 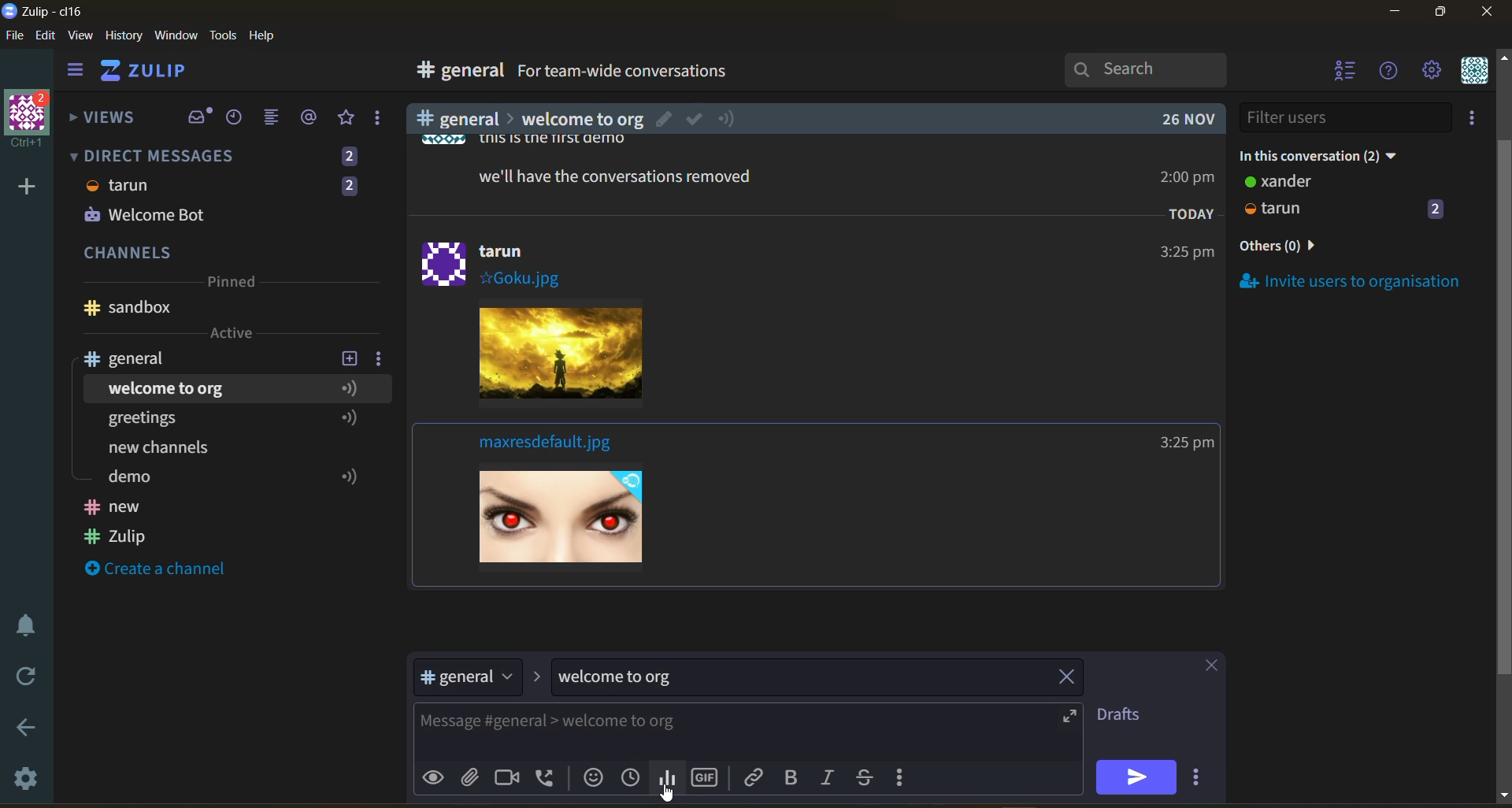 What do you see at coordinates (511, 141) in the screenshot?
I see `` at bounding box center [511, 141].